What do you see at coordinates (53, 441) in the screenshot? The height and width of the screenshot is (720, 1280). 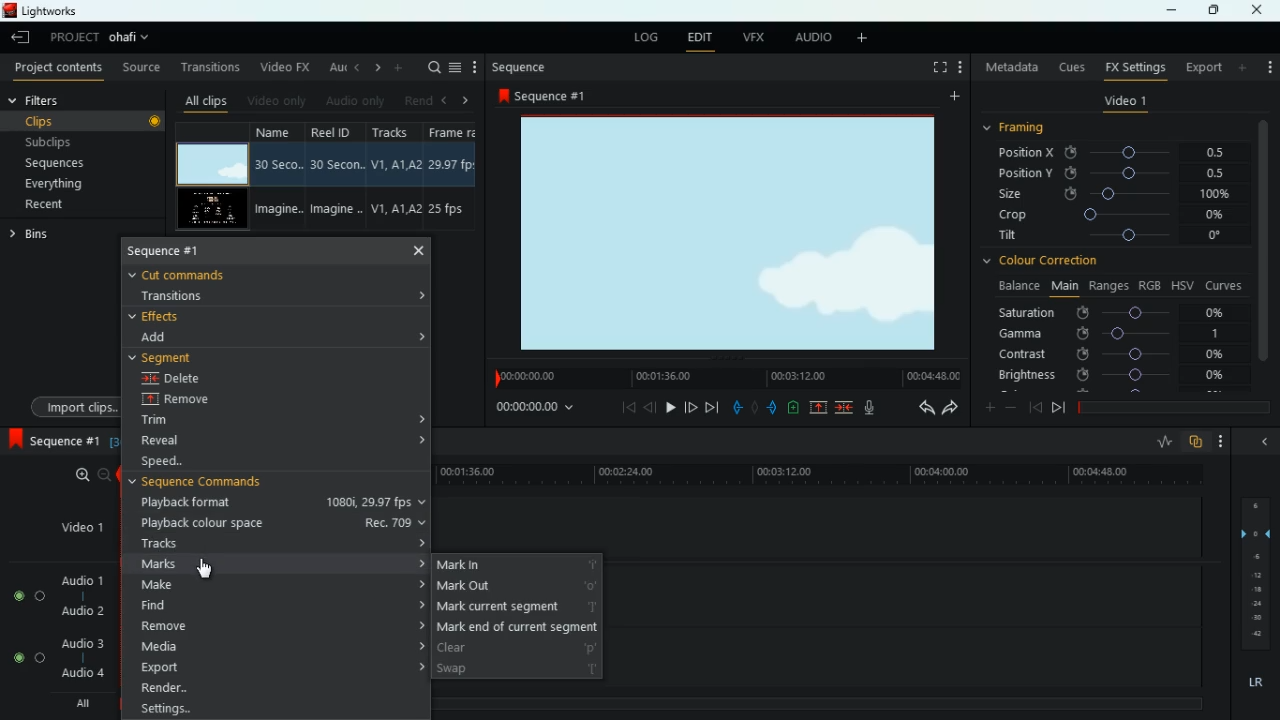 I see `sequence 1` at bounding box center [53, 441].